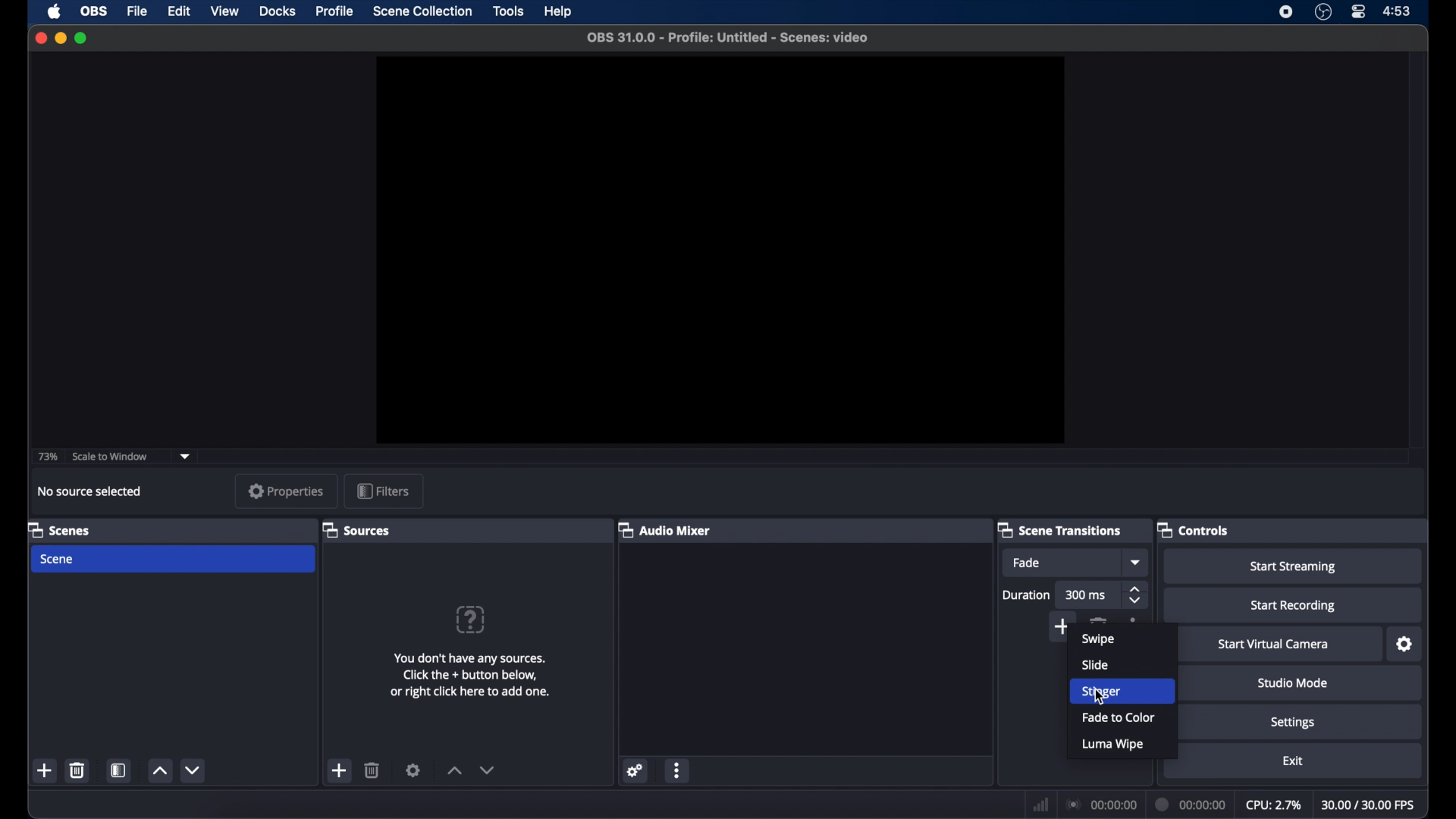  What do you see at coordinates (1101, 620) in the screenshot?
I see `delete` at bounding box center [1101, 620].